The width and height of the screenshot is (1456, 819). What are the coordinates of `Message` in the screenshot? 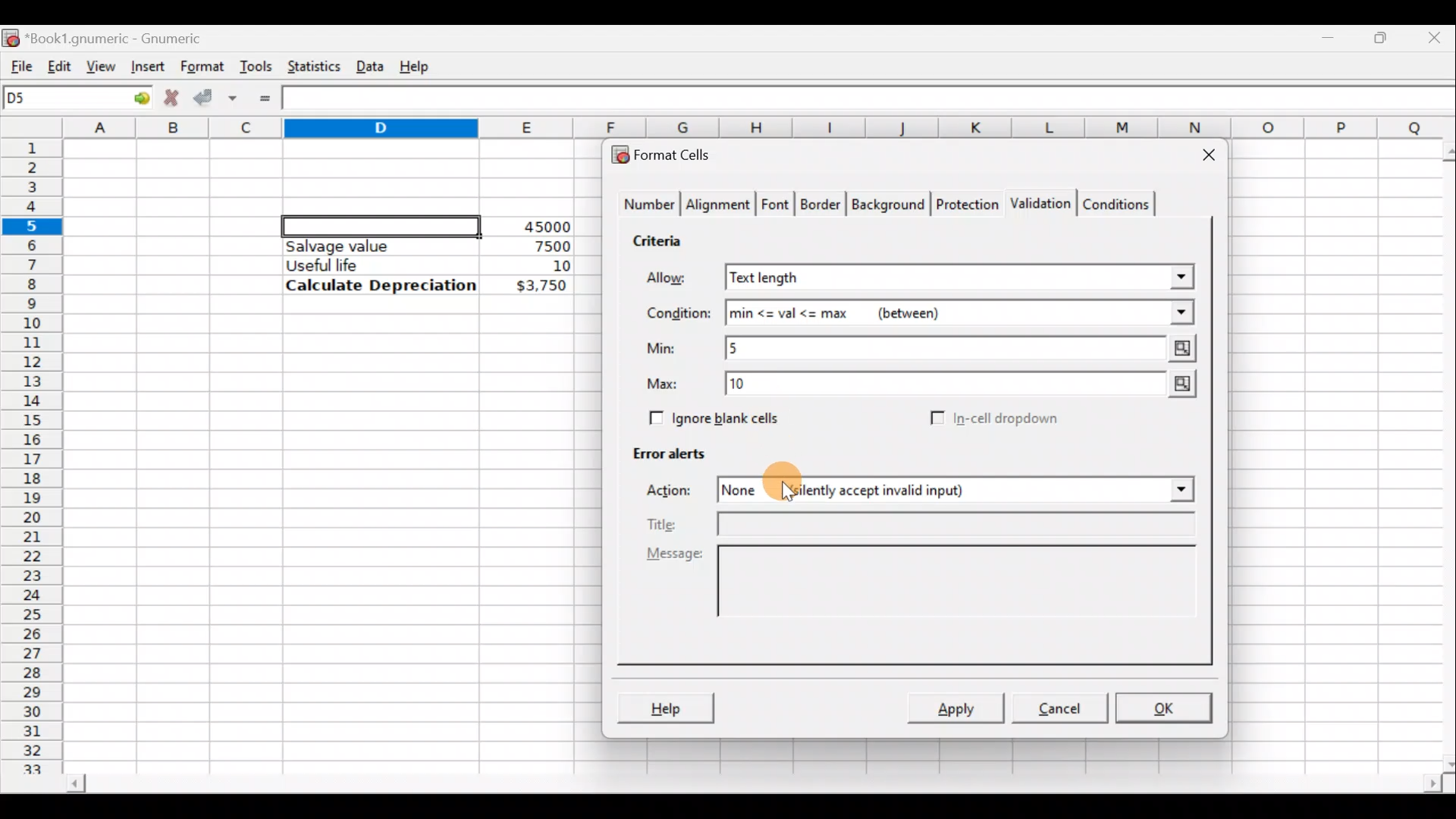 It's located at (925, 598).